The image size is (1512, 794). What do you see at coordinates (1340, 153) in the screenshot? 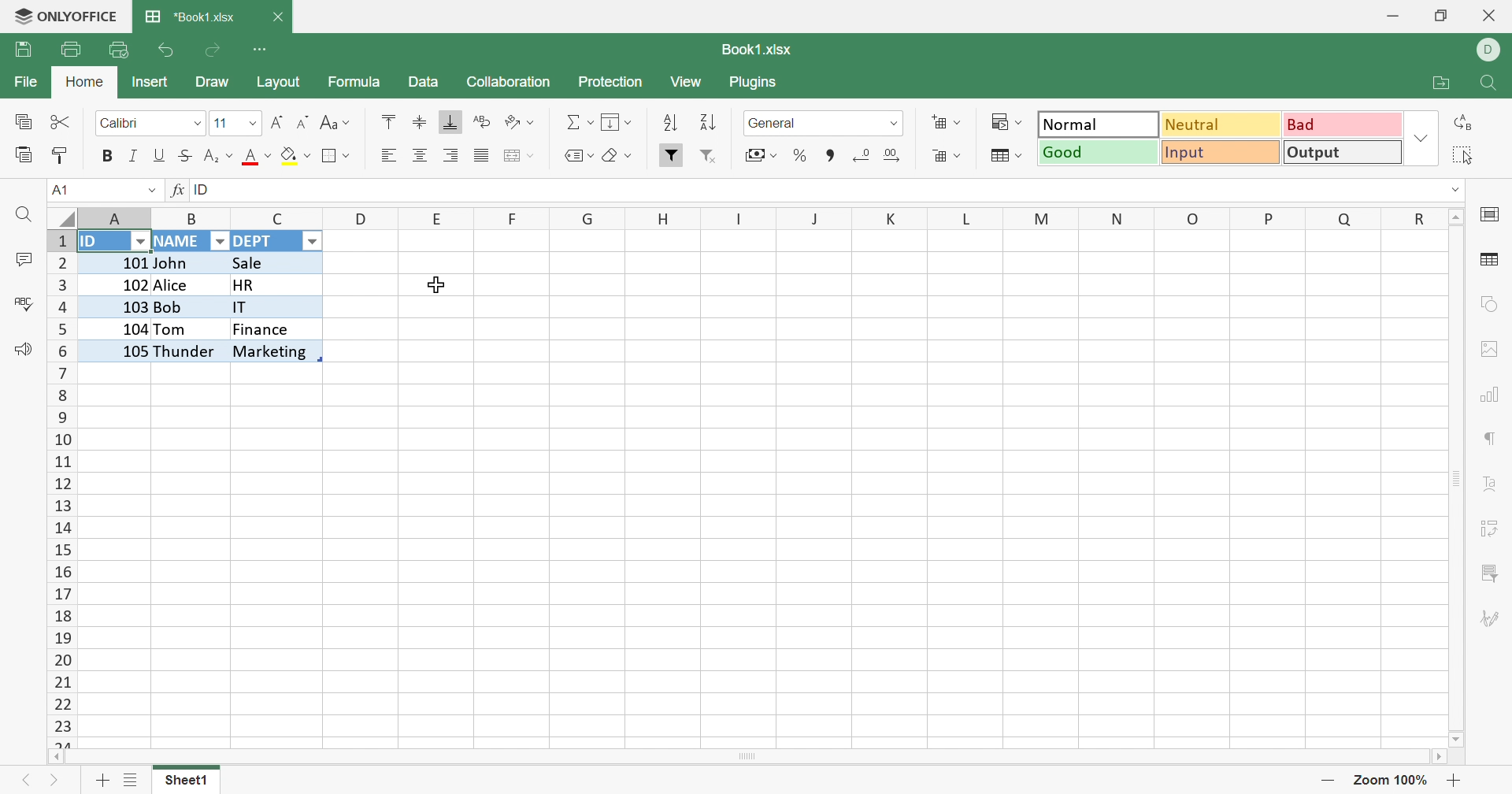
I see `Output` at bounding box center [1340, 153].